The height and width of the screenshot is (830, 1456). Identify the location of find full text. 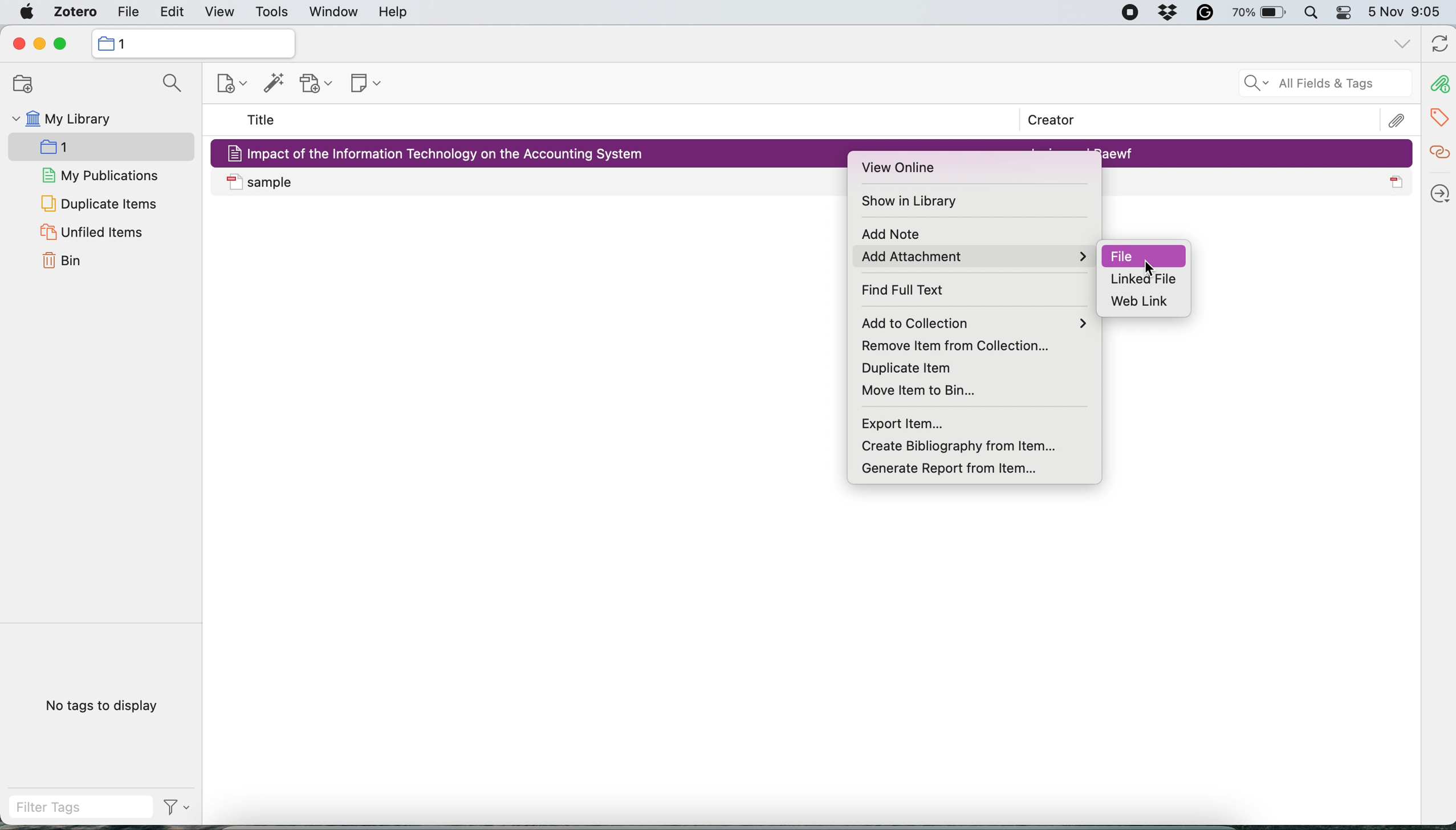
(914, 290).